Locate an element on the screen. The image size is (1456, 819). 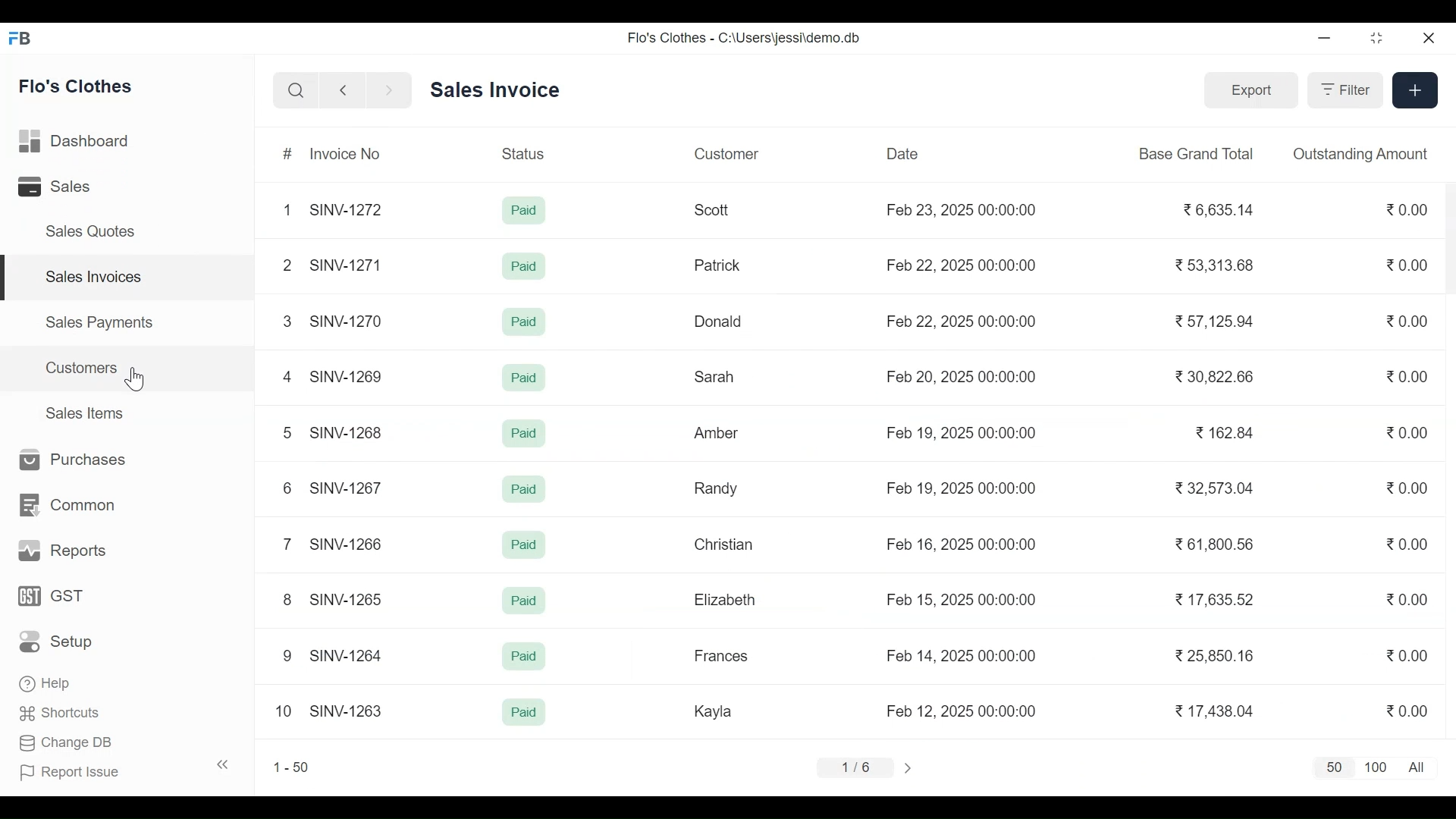
SINV-1268 is located at coordinates (346, 432).